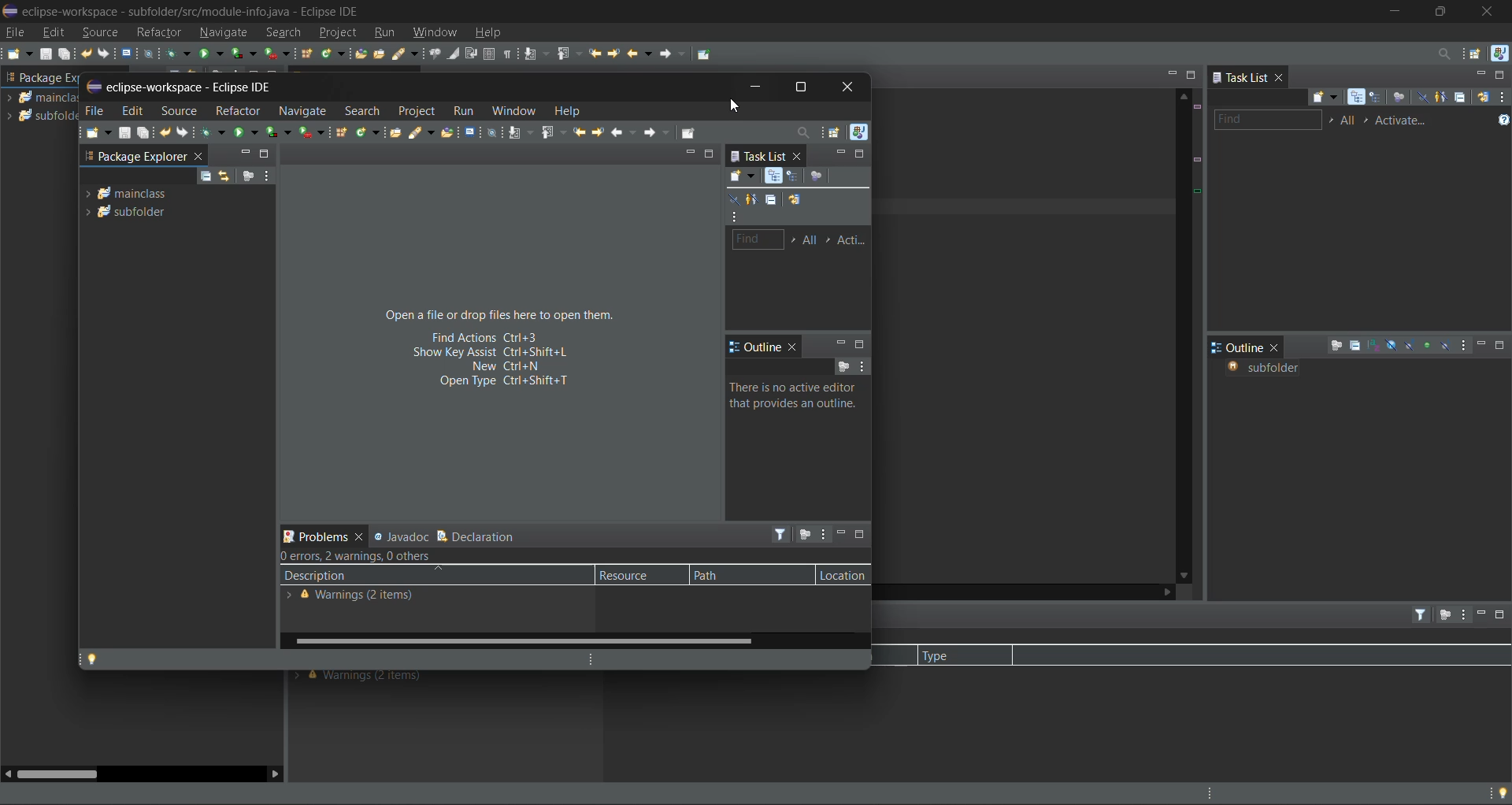 The height and width of the screenshot is (805, 1512). What do you see at coordinates (175, 86) in the screenshot?
I see `tab name` at bounding box center [175, 86].